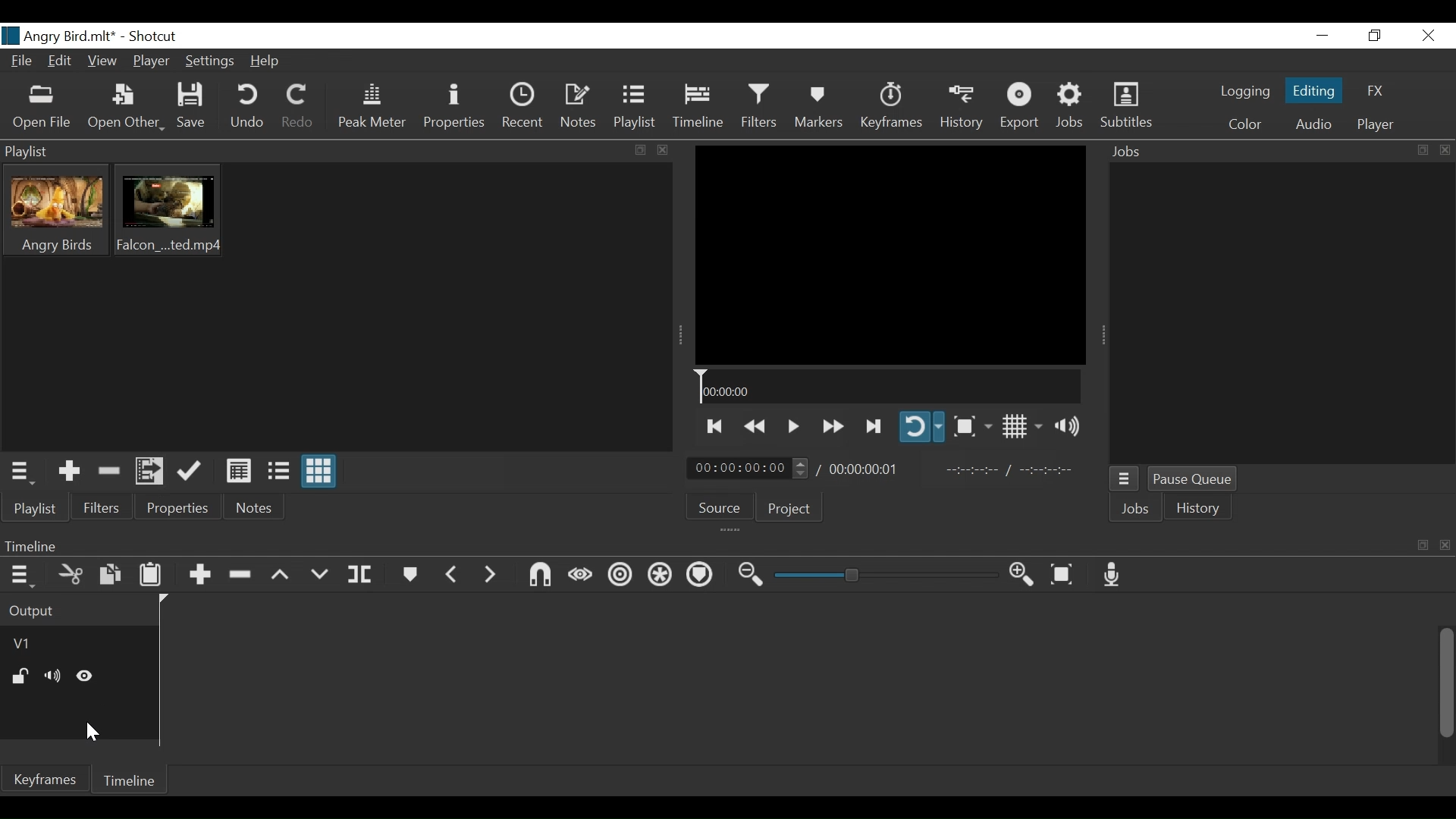  Describe the element at coordinates (1062, 575) in the screenshot. I see `Zoom timeline to fit` at that location.